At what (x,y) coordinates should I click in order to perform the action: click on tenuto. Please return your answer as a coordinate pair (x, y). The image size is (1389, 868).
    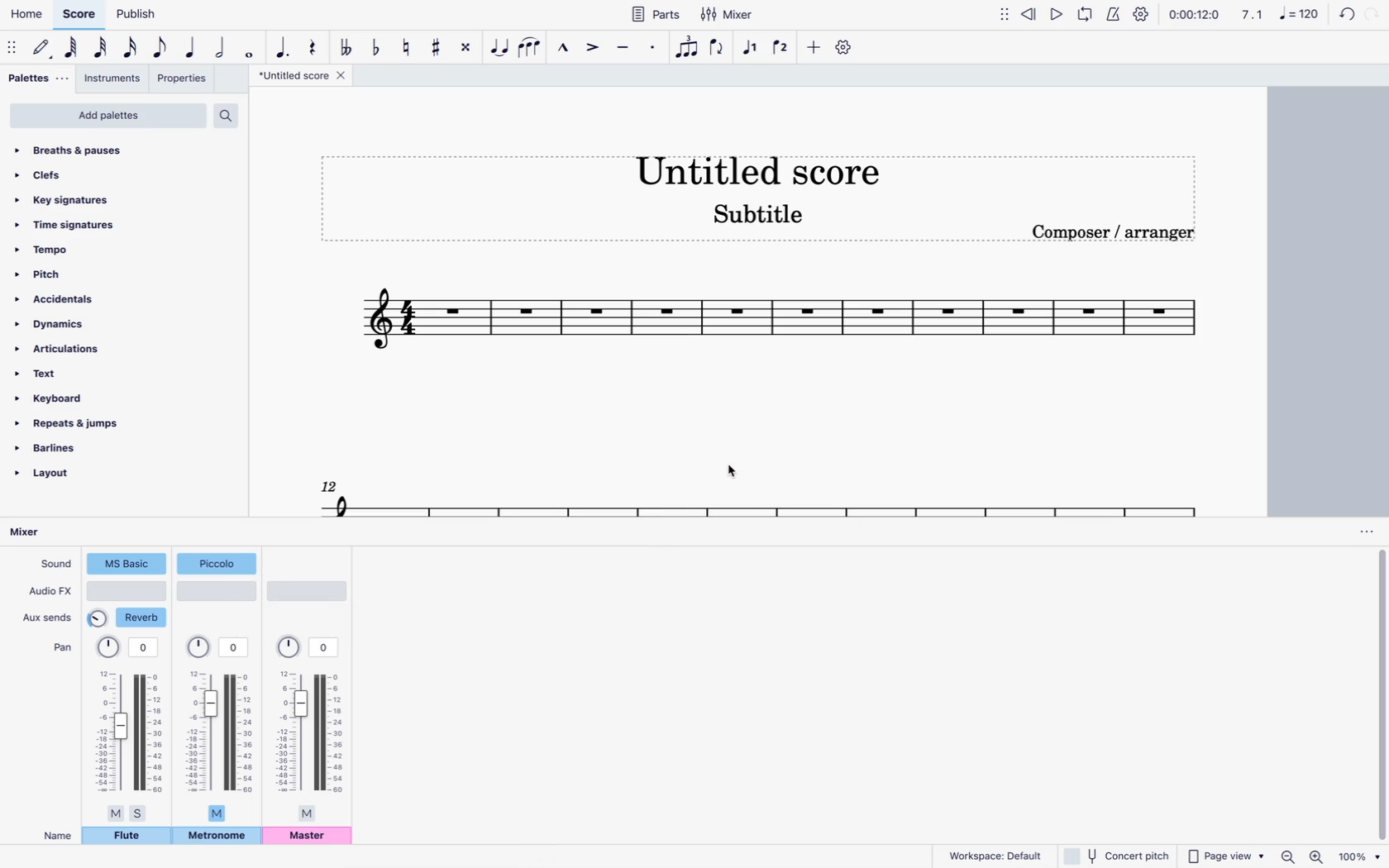
    Looking at the image, I should click on (621, 48).